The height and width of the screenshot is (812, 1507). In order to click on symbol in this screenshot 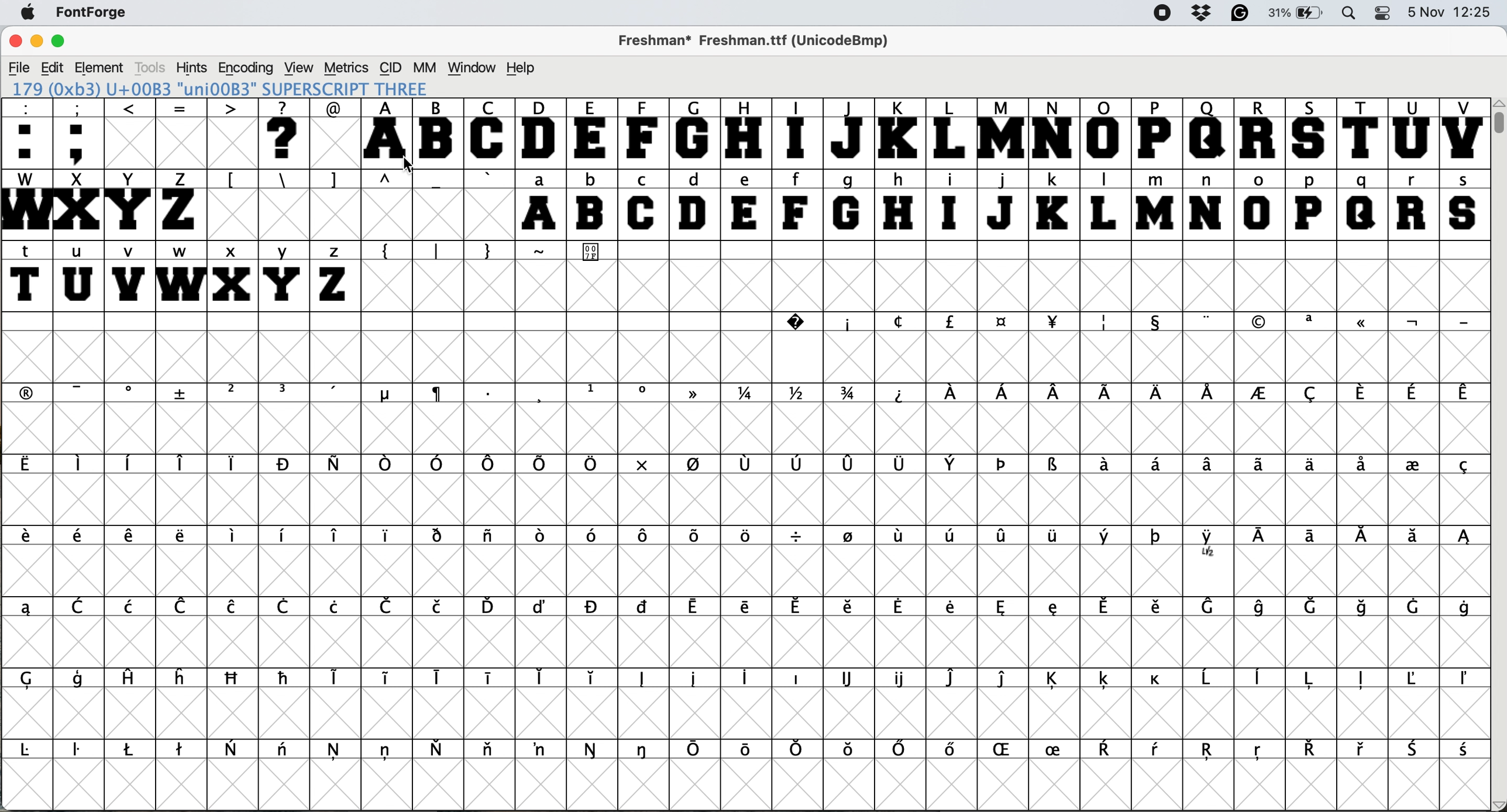, I will do `click(593, 749)`.